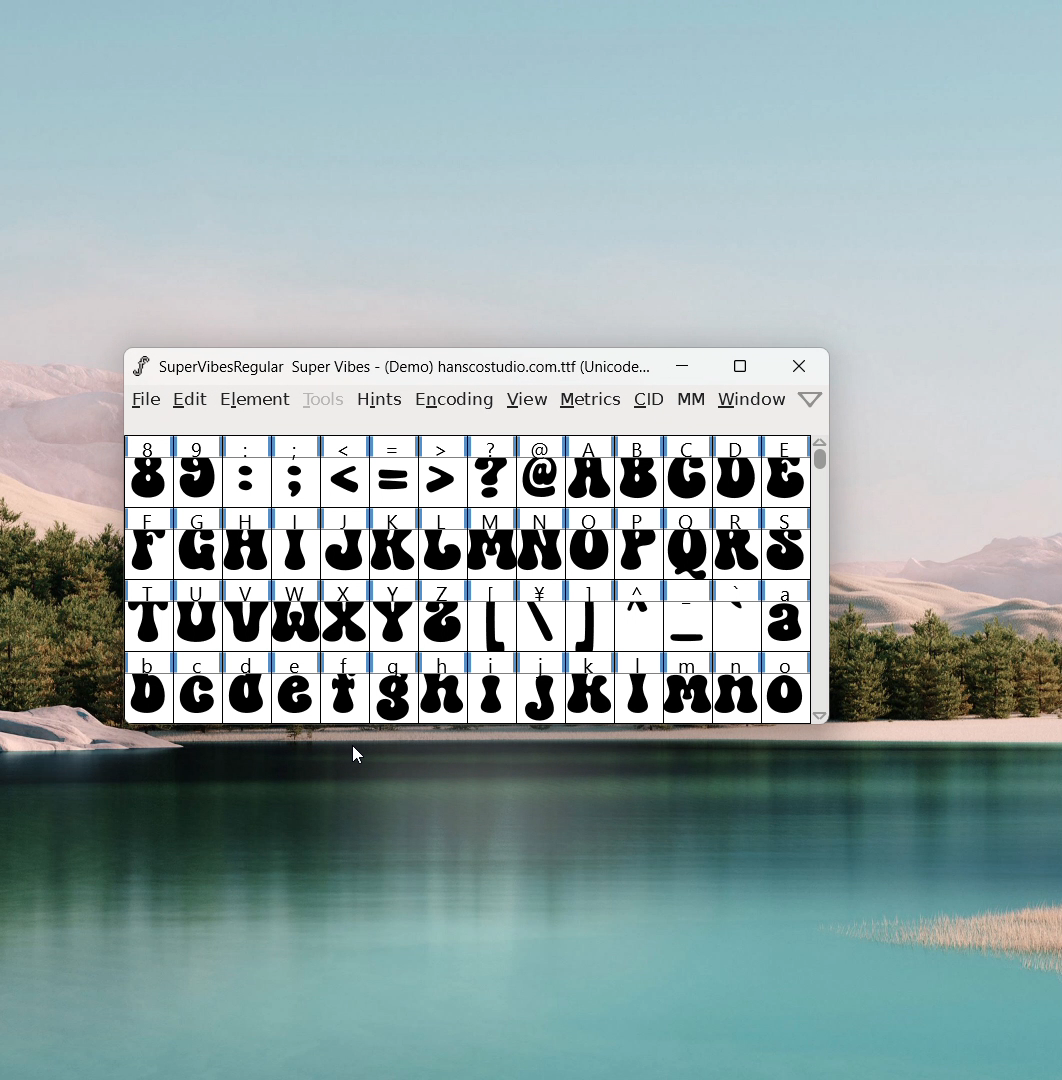  I want to click on ;, so click(297, 472).